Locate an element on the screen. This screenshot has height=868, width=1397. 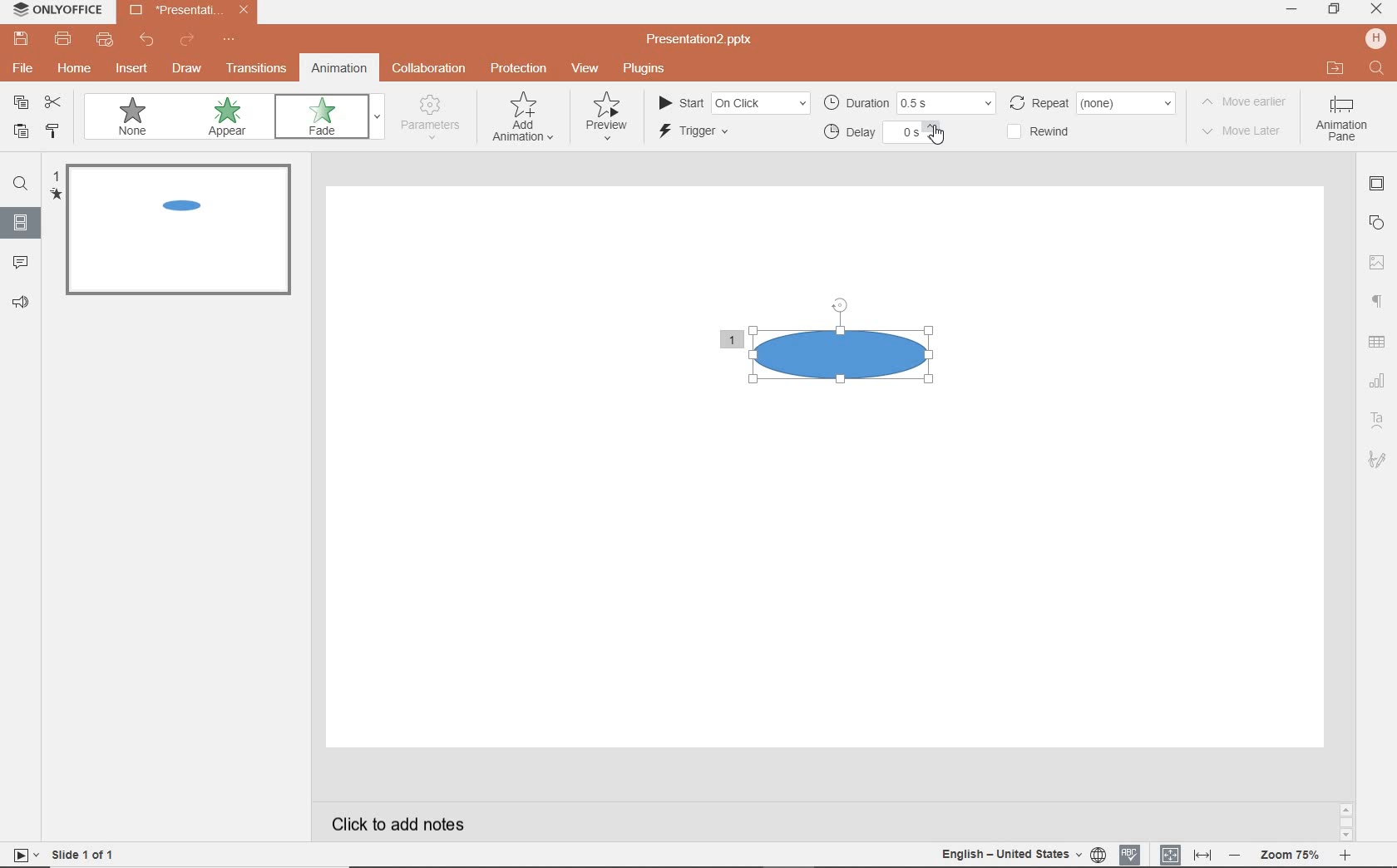
undo is located at coordinates (149, 39).